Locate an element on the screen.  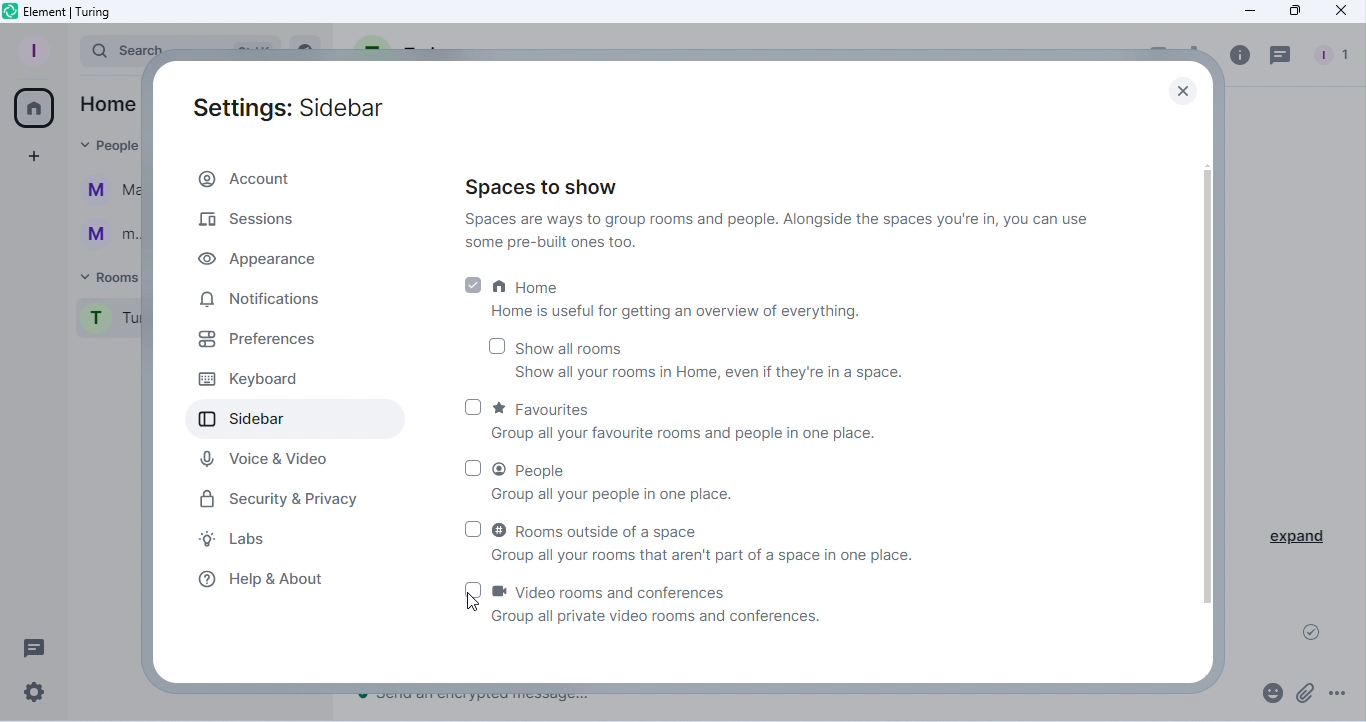
Threads is located at coordinates (1280, 56).